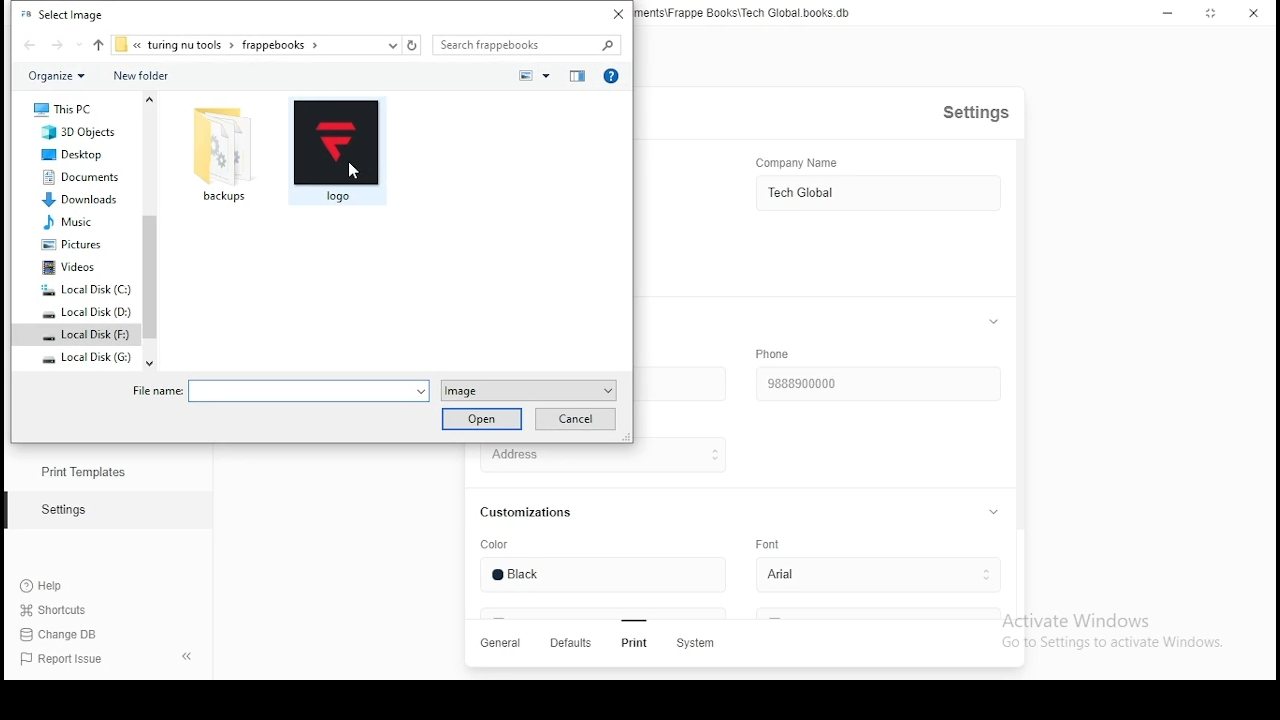 The height and width of the screenshot is (720, 1280). I want to click on GENERAL , so click(503, 645).